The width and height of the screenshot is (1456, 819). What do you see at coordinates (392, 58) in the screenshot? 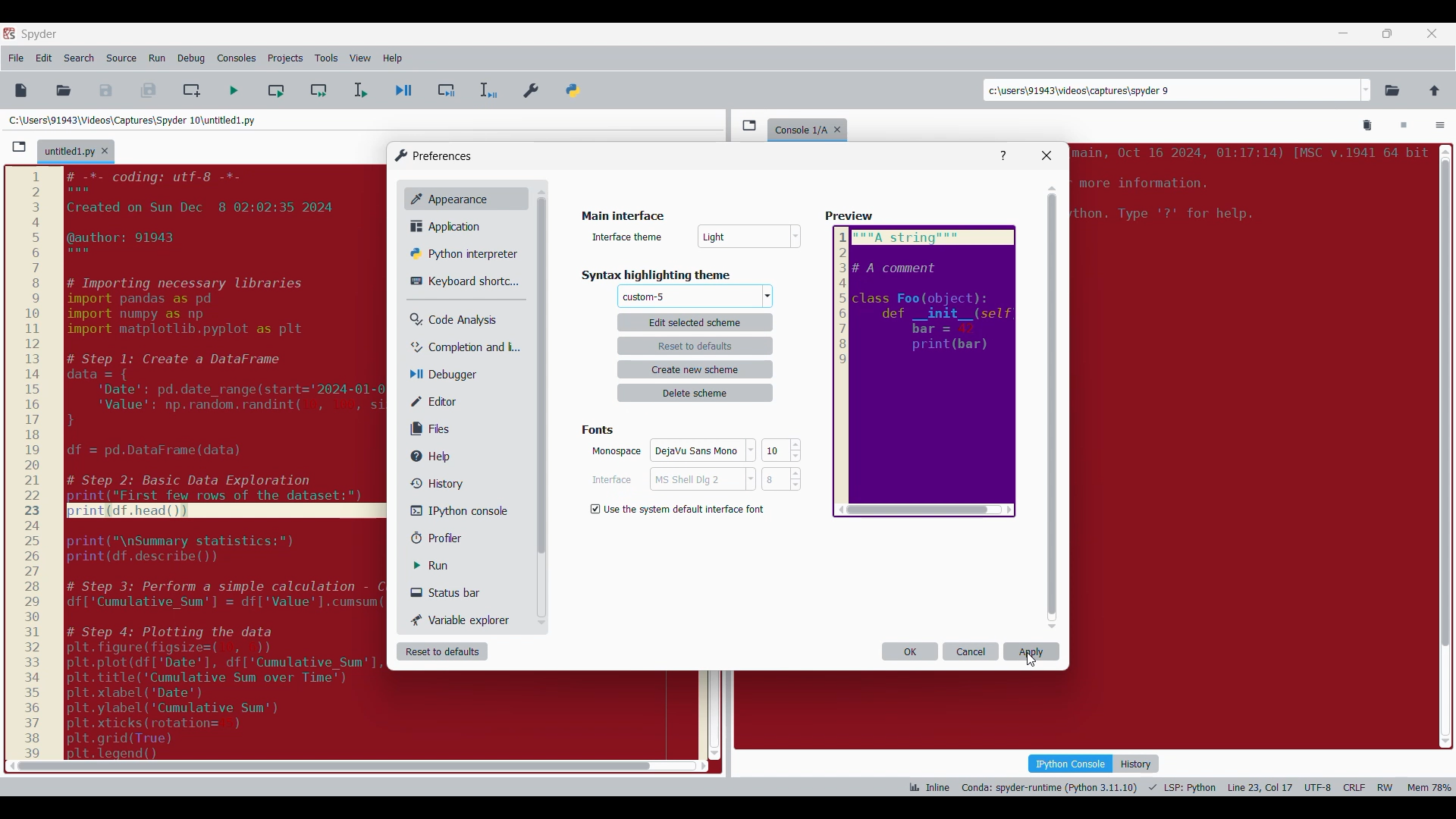
I see `Help menu` at bounding box center [392, 58].